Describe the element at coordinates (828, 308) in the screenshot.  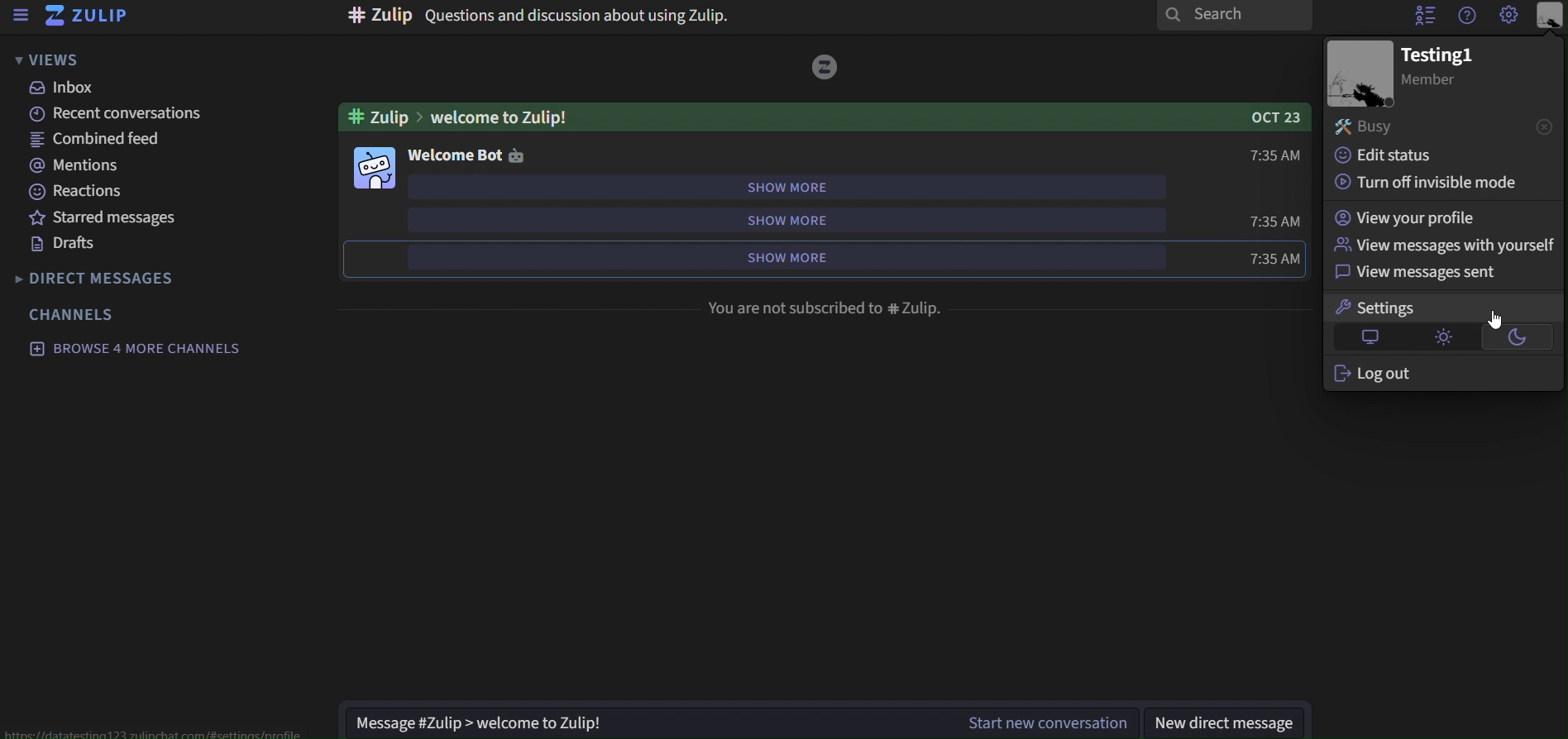
I see `you are subscribed to #zulip` at that location.